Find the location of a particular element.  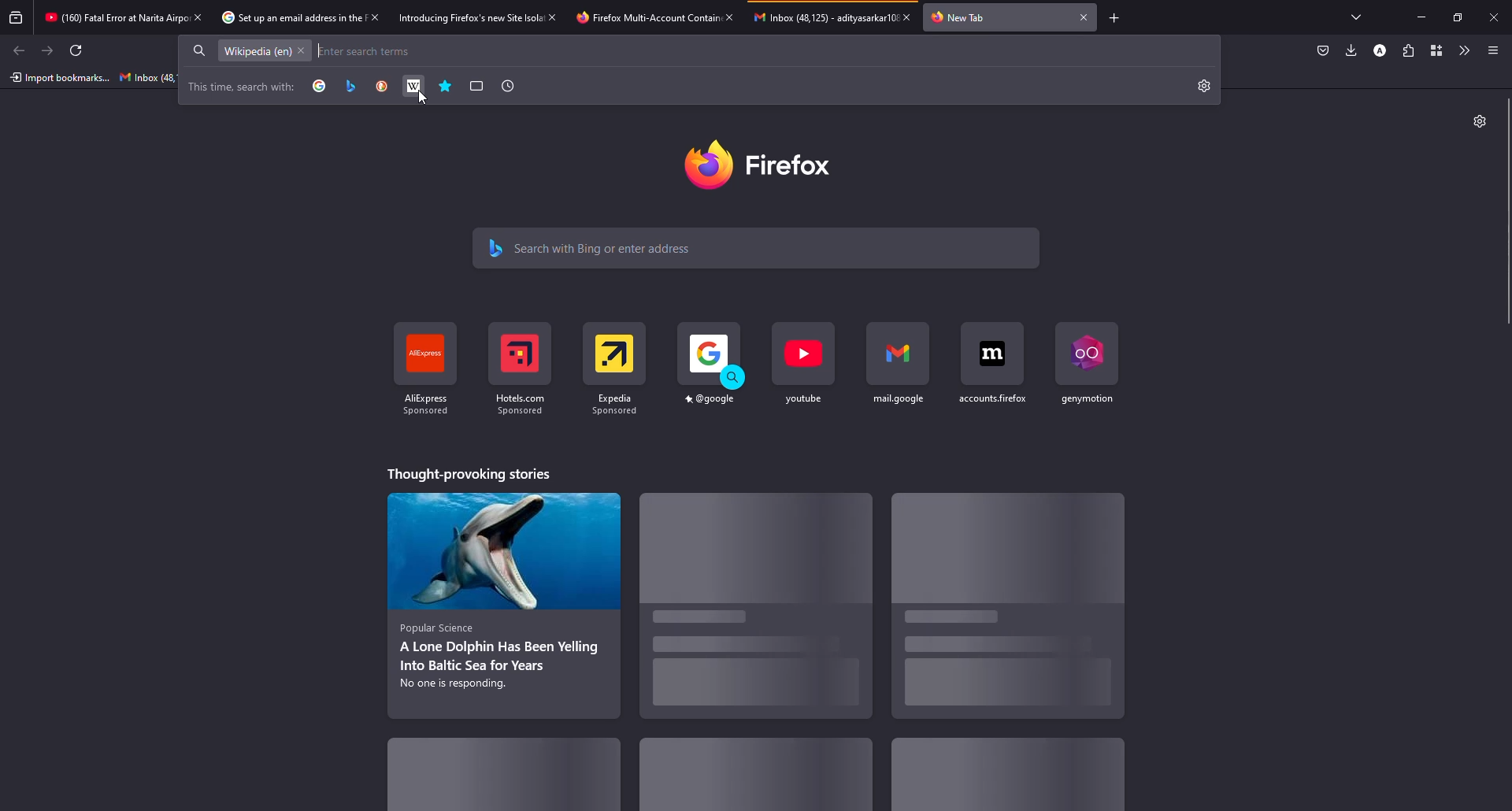

close is located at coordinates (198, 17).